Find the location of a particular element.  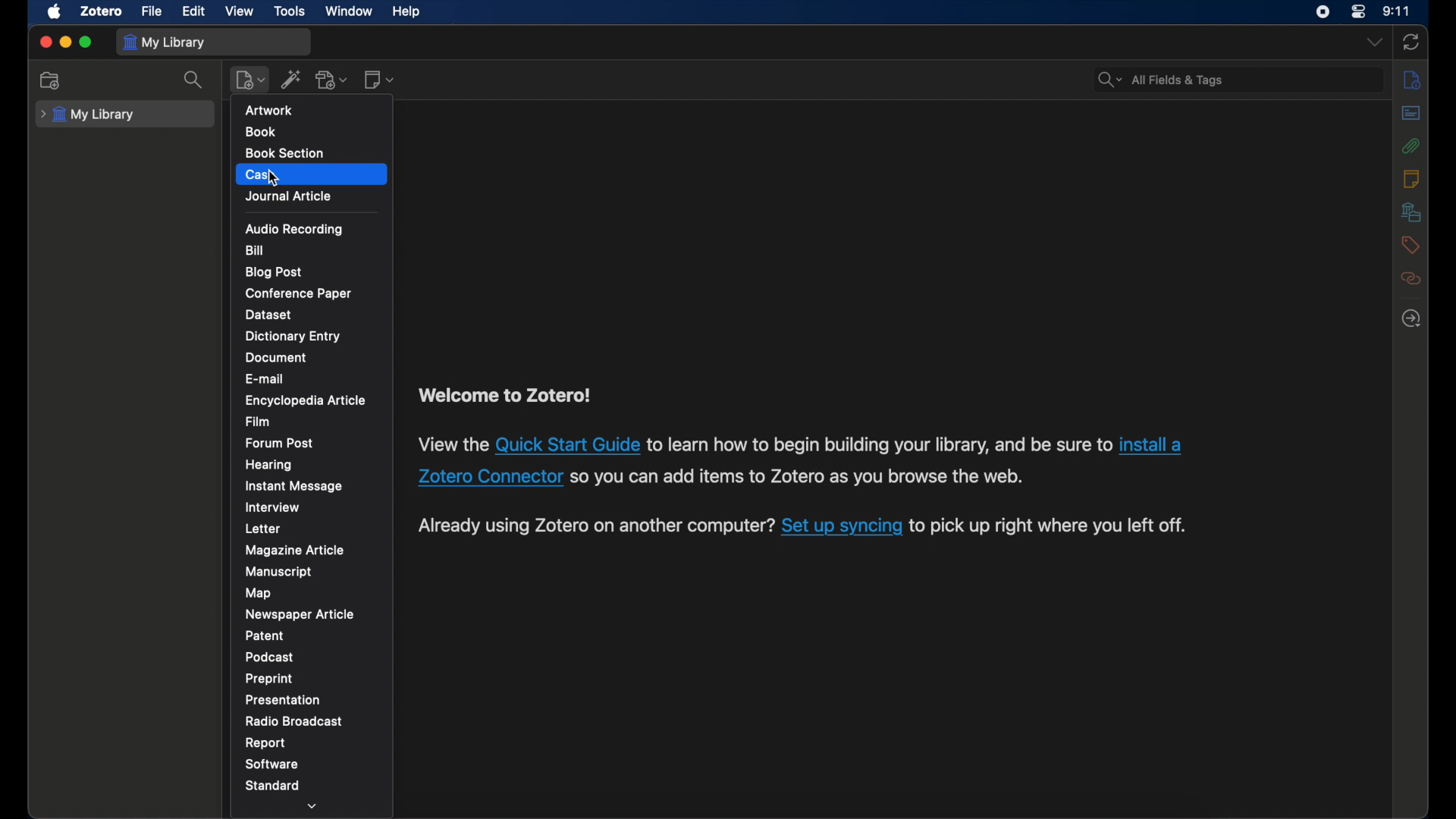

view is located at coordinates (240, 11).